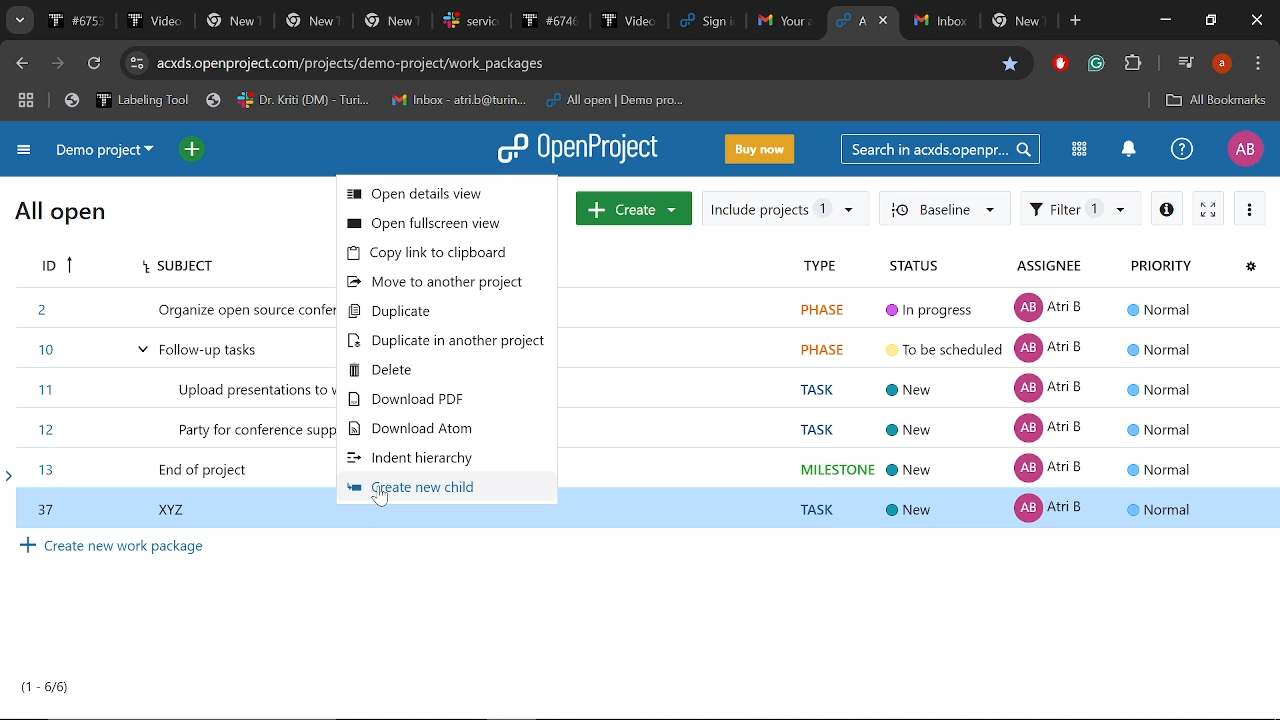  I want to click on Tasks, so click(46, 687).